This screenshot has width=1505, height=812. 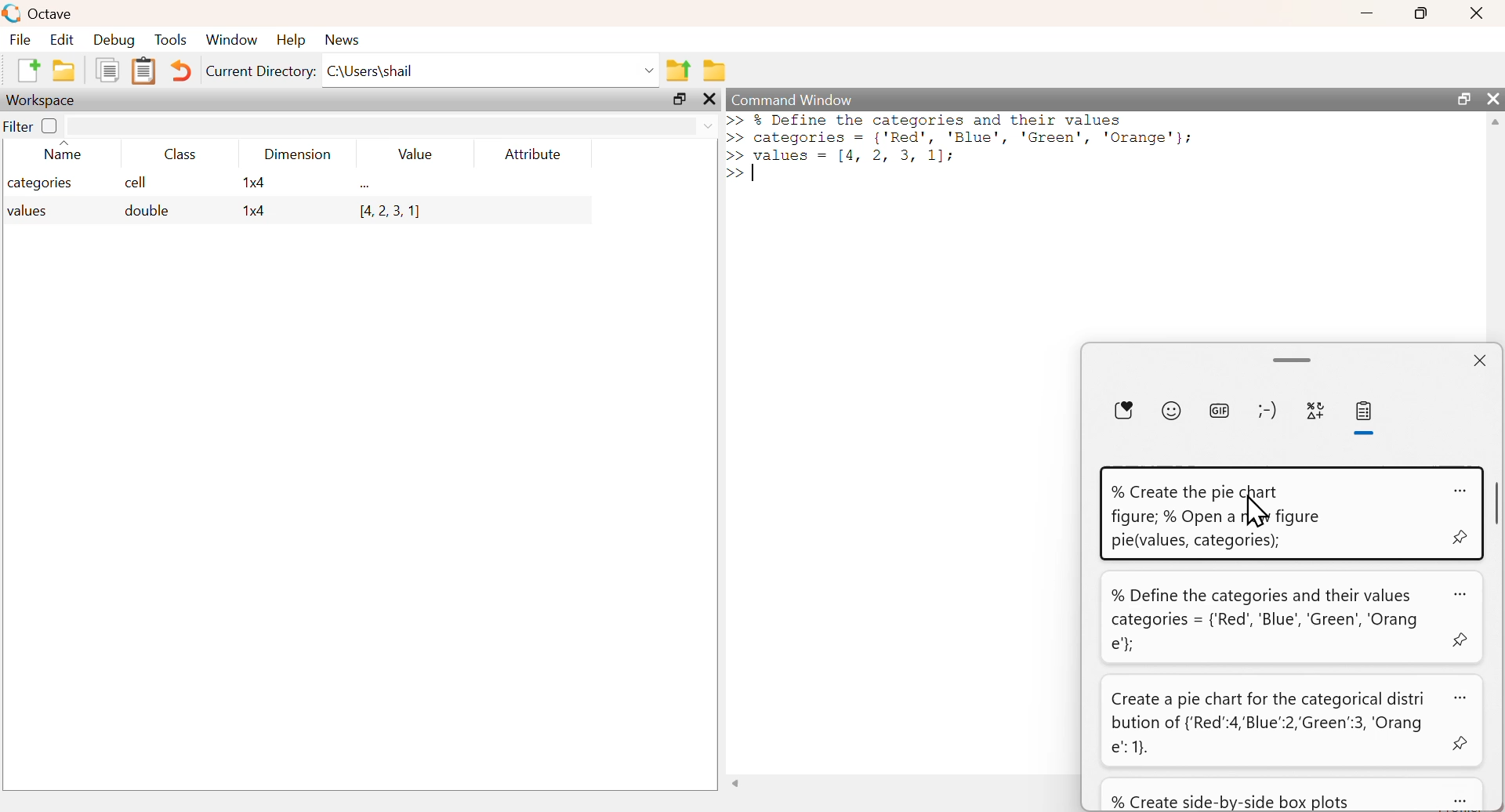 I want to click on % Create side-by-side box plots, so click(x=1231, y=801).